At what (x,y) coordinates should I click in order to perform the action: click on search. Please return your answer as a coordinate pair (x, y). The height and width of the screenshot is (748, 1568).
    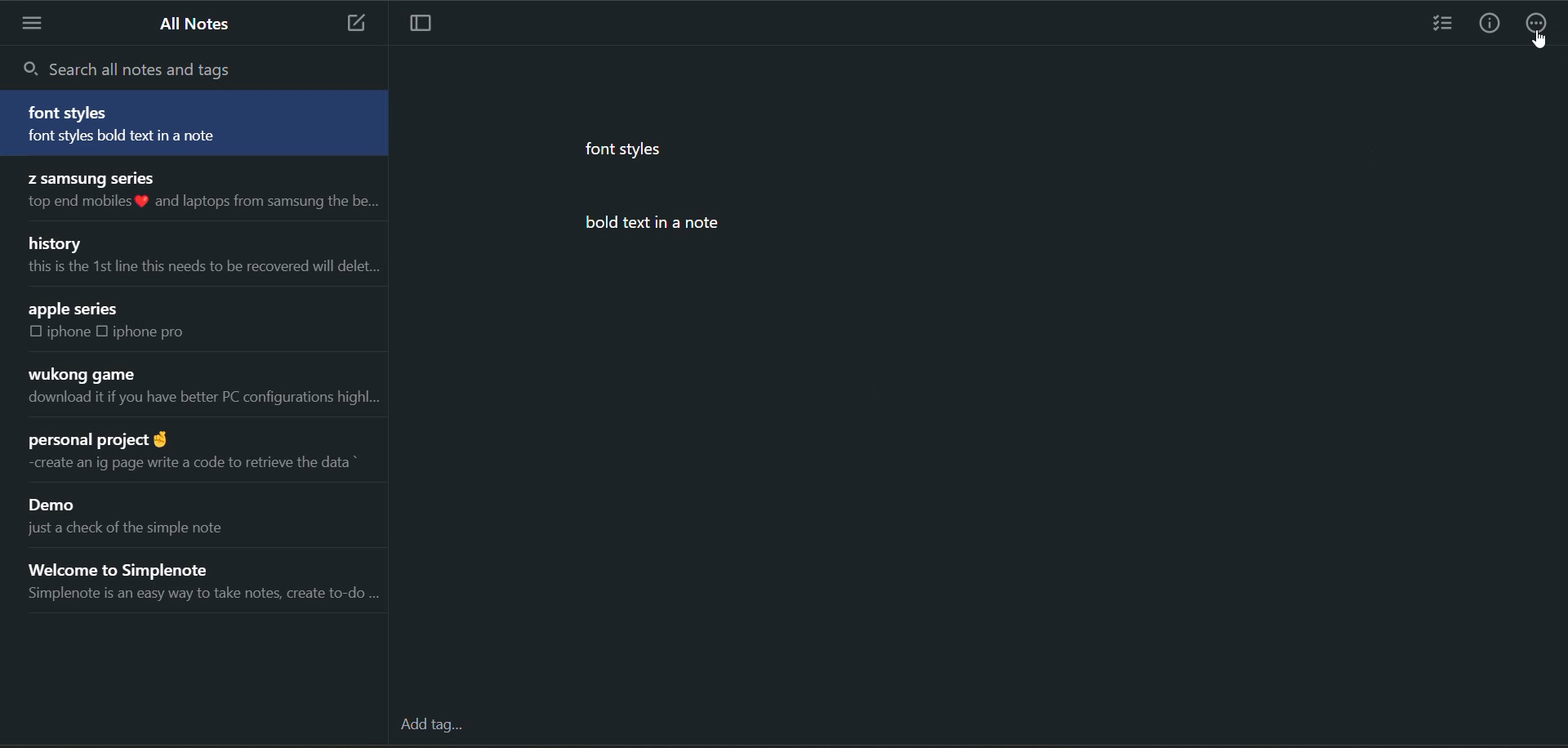
    Looking at the image, I should click on (136, 68).